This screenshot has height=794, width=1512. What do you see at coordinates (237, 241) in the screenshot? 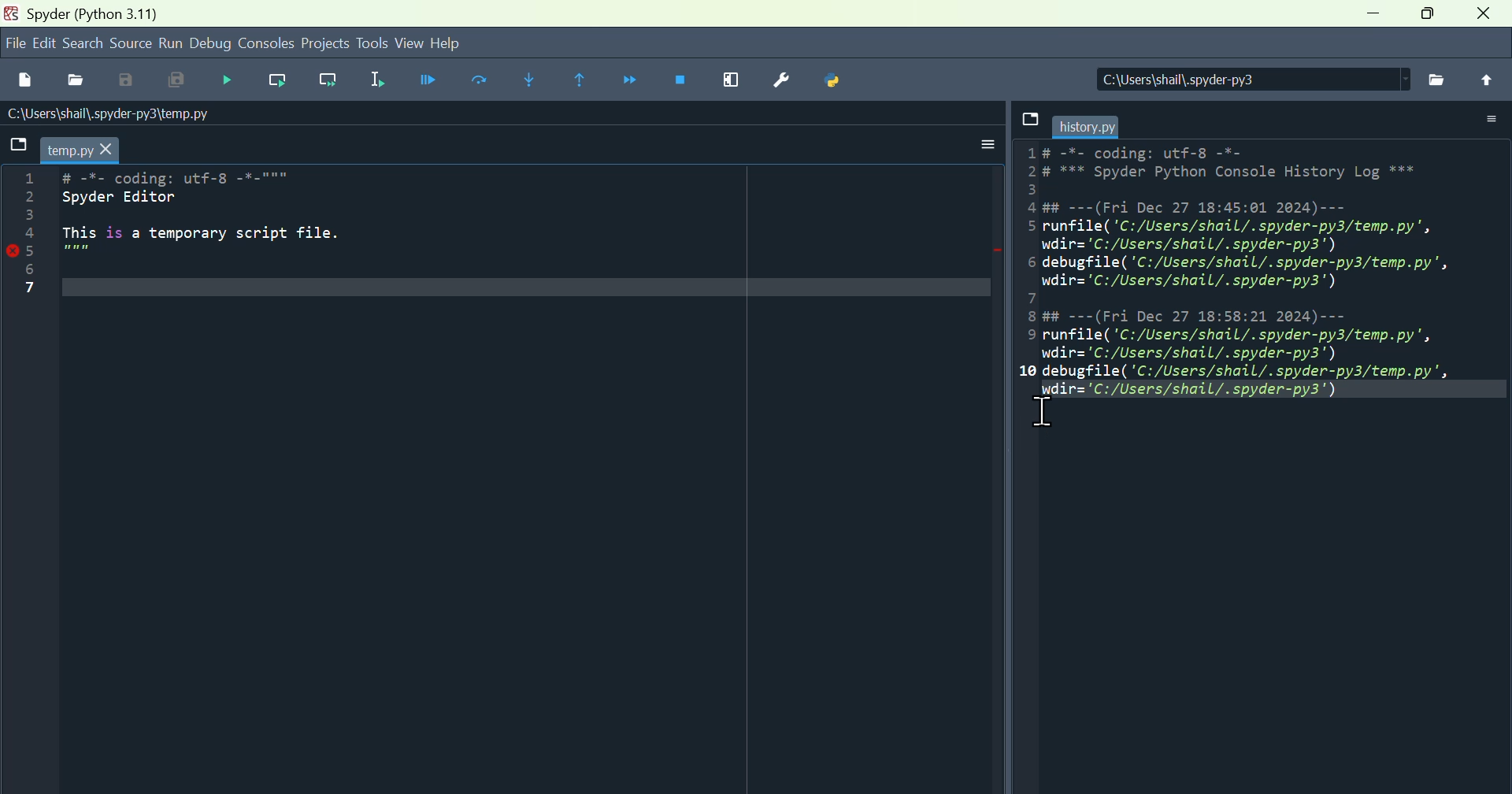
I see `code - # -*- coding: utf-8 -*-""" Spyder Editor  This is a temporary script file.` at bounding box center [237, 241].